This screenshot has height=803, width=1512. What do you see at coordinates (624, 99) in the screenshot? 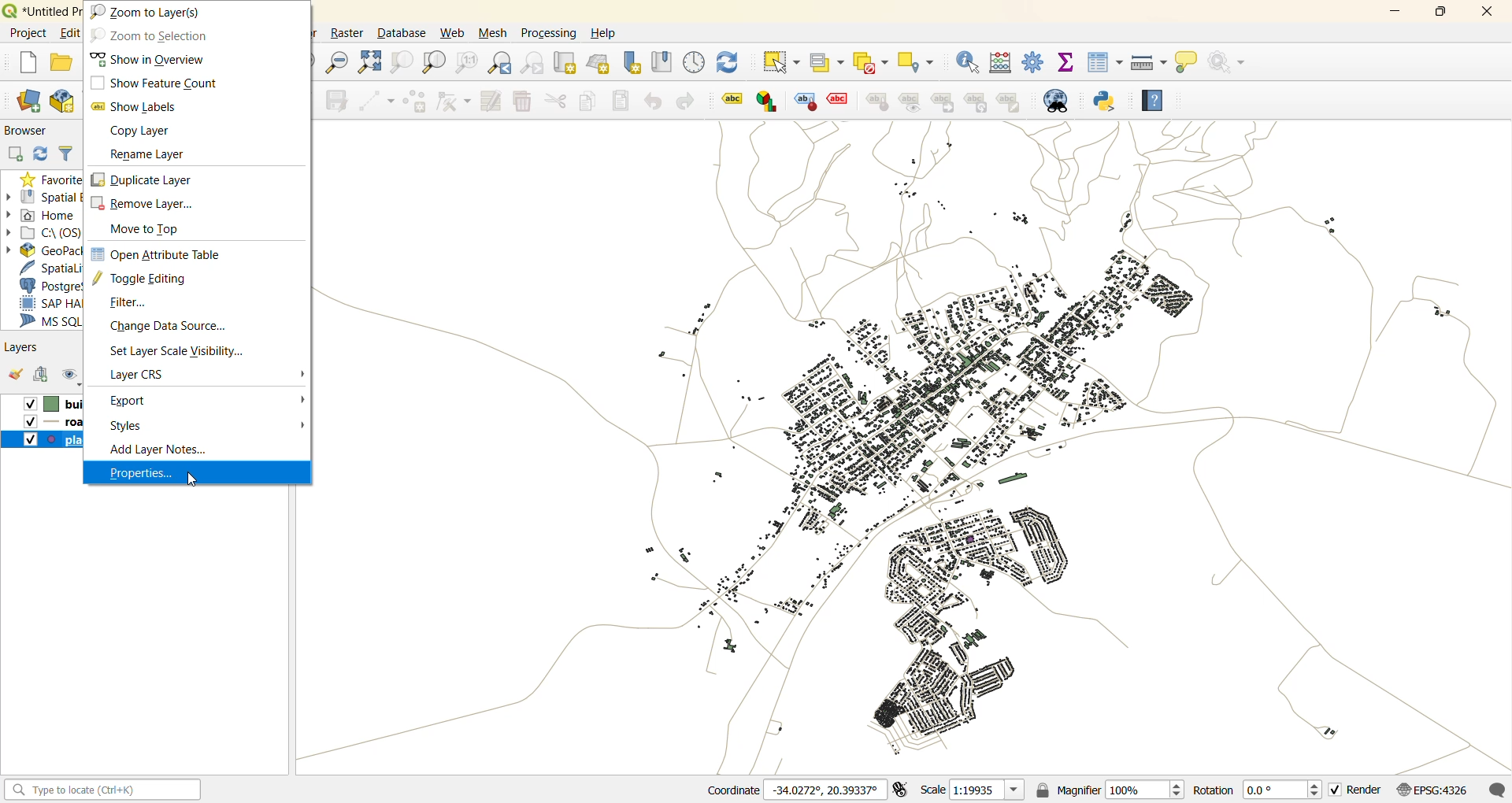
I see `paste` at bounding box center [624, 99].